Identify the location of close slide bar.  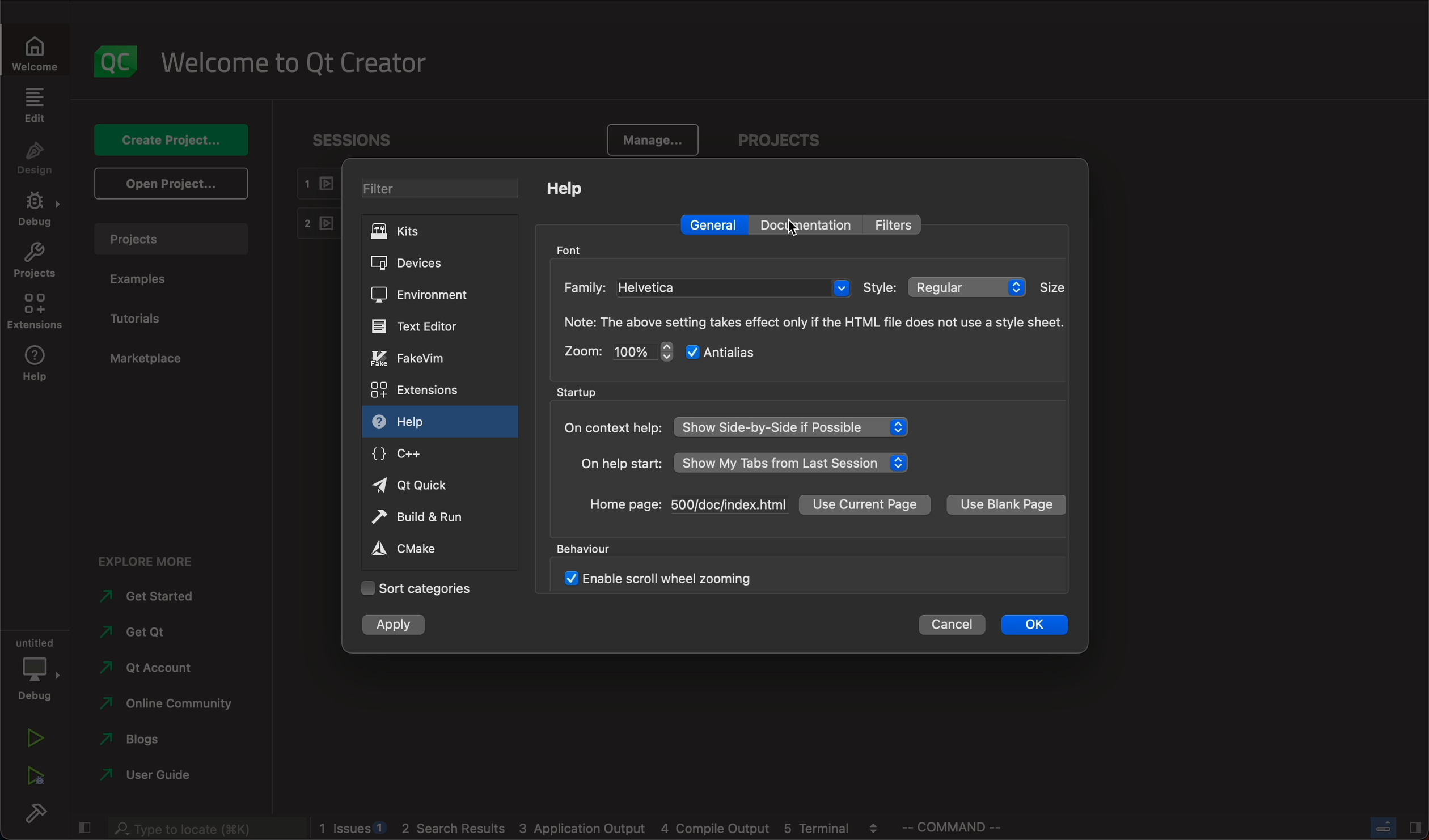
(1390, 828).